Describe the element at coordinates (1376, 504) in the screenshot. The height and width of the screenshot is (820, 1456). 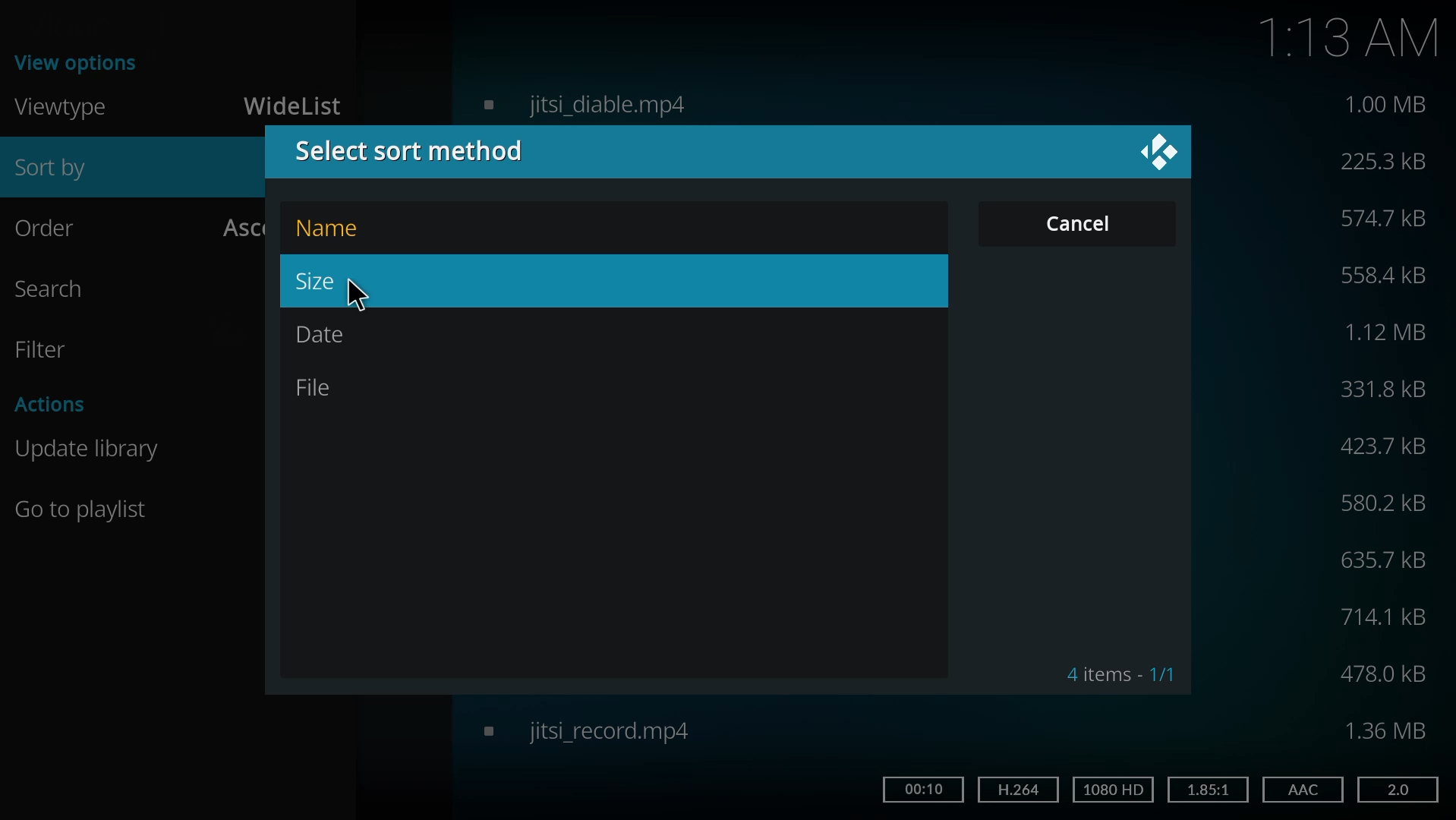
I see `size` at that location.